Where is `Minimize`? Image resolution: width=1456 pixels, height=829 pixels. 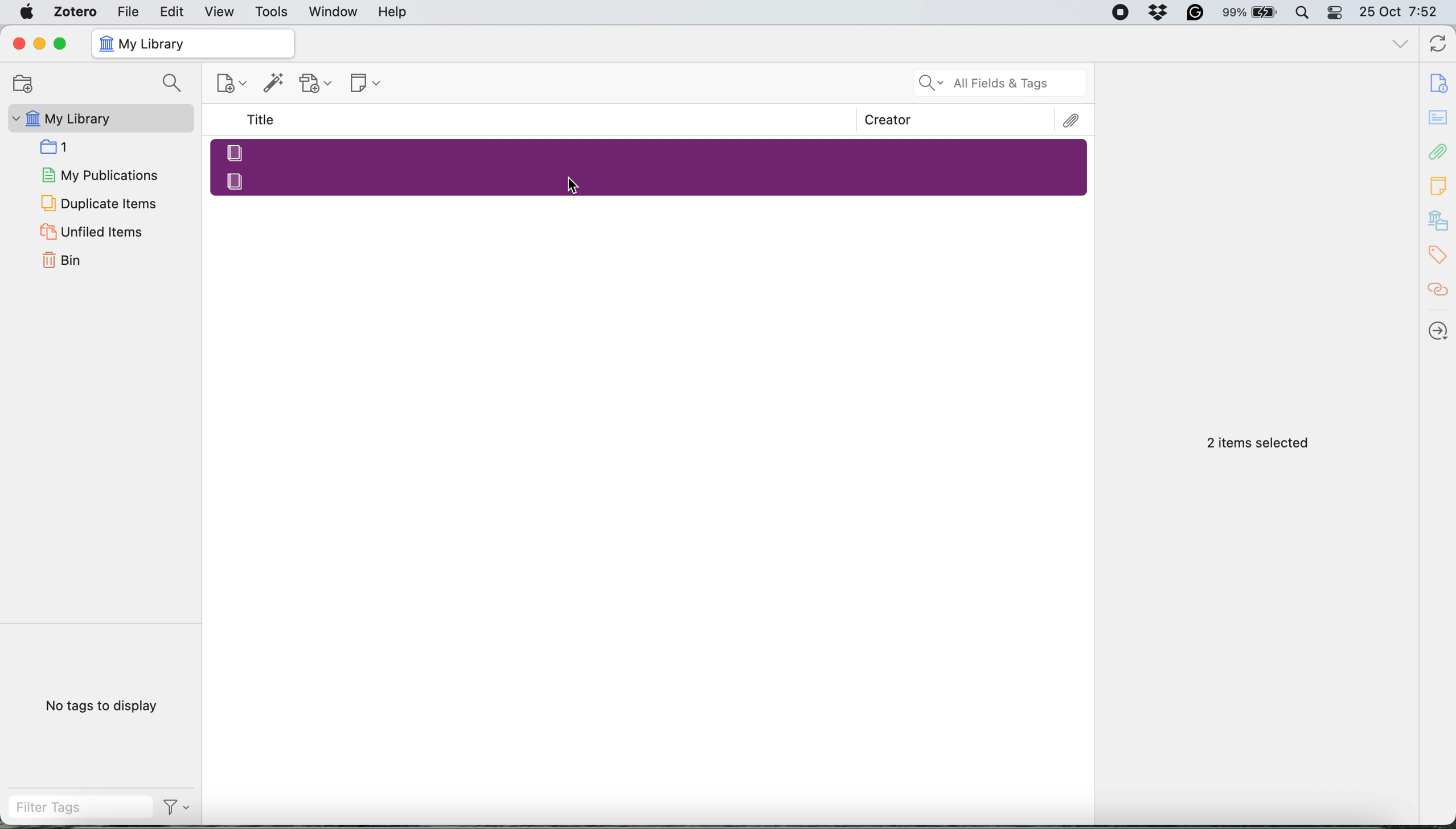 Minimize is located at coordinates (38, 44).